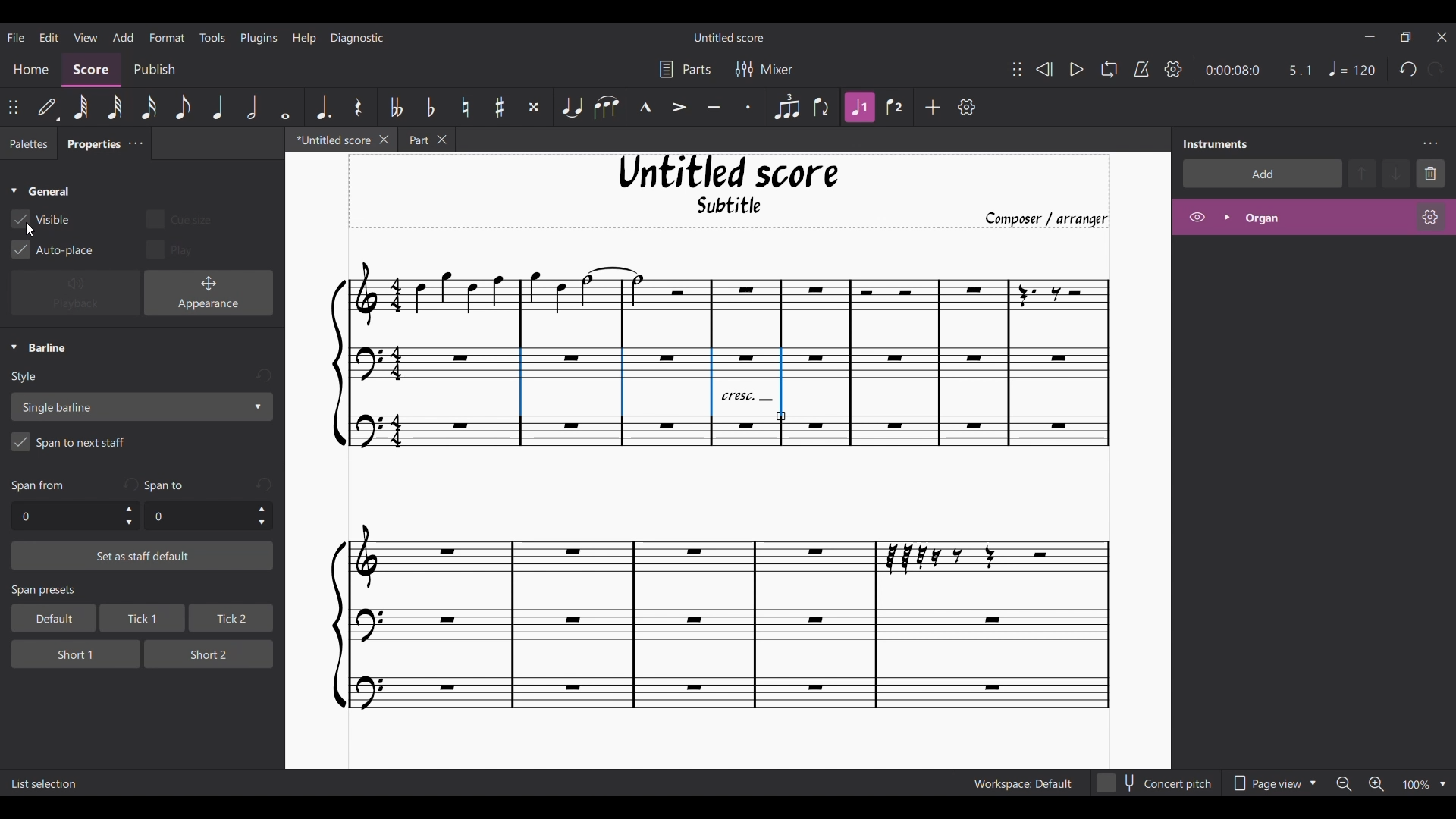 The height and width of the screenshot is (819, 1456). What do you see at coordinates (154, 70) in the screenshot?
I see `Publish section` at bounding box center [154, 70].